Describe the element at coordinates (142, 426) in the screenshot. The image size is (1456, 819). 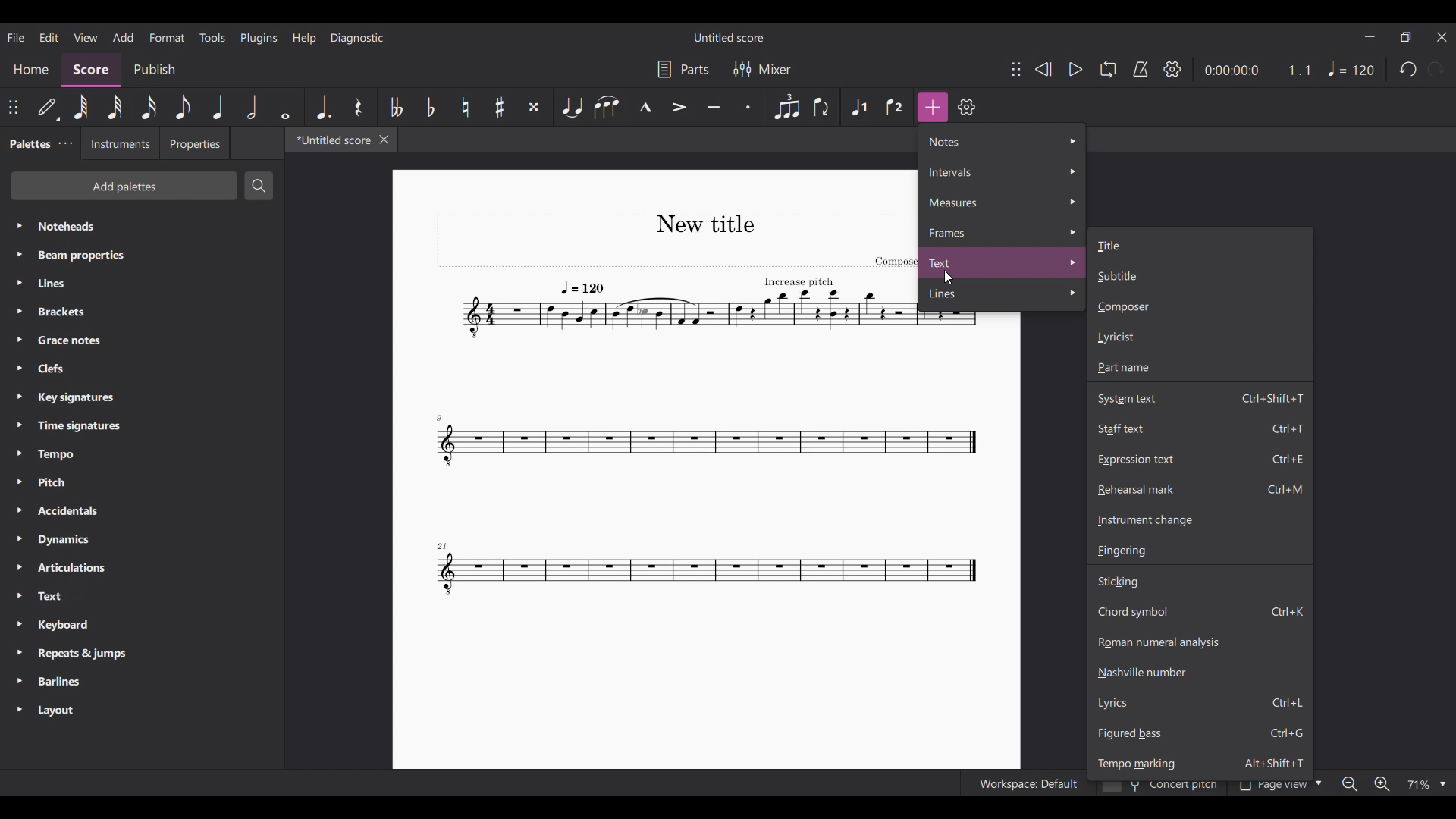
I see `Time signatures` at that location.